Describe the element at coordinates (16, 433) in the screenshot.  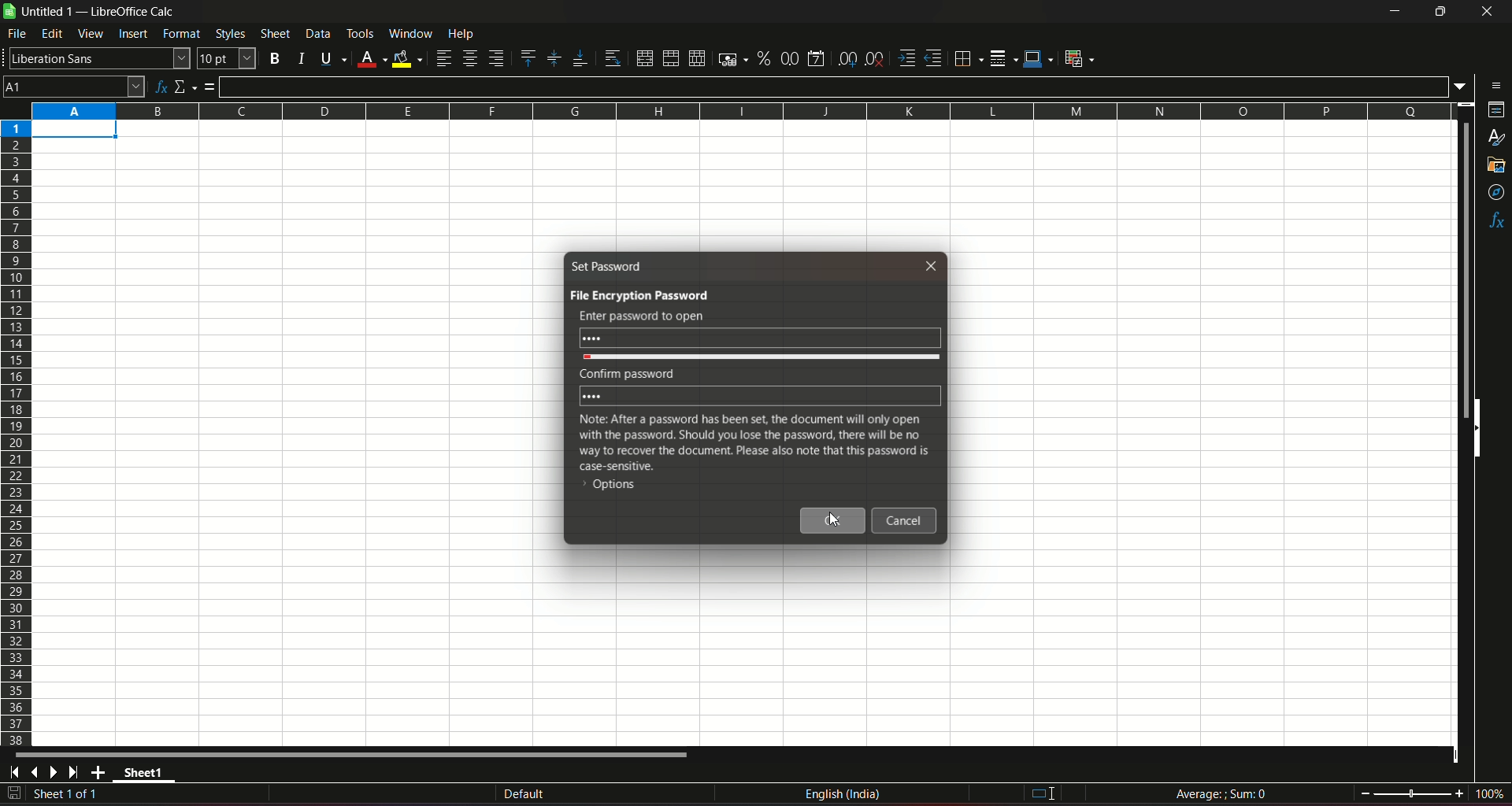
I see `rows` at that location.